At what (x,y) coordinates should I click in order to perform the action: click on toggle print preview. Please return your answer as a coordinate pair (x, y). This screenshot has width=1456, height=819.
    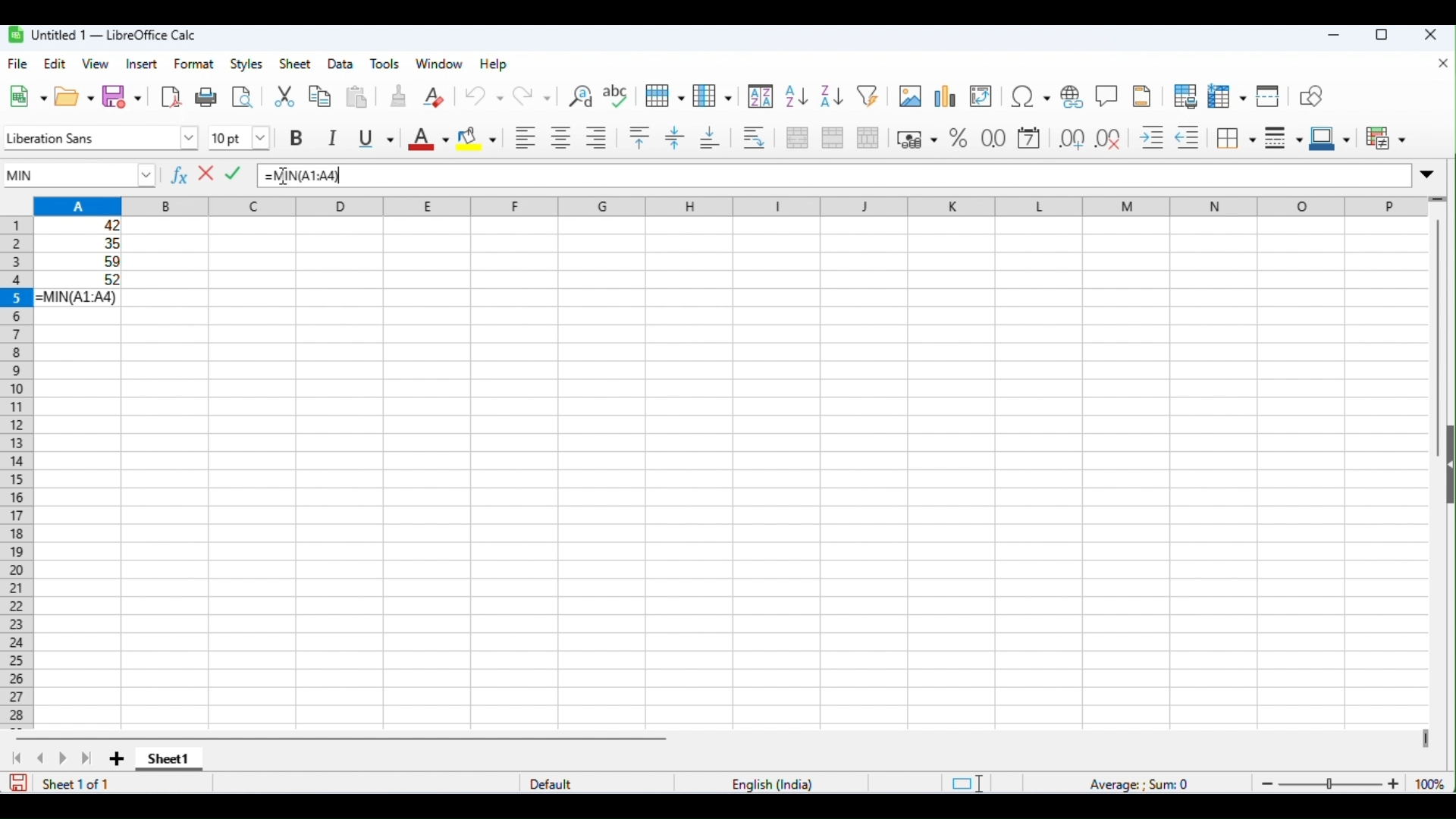
    Looking at the image, I should click on (1183, 96).